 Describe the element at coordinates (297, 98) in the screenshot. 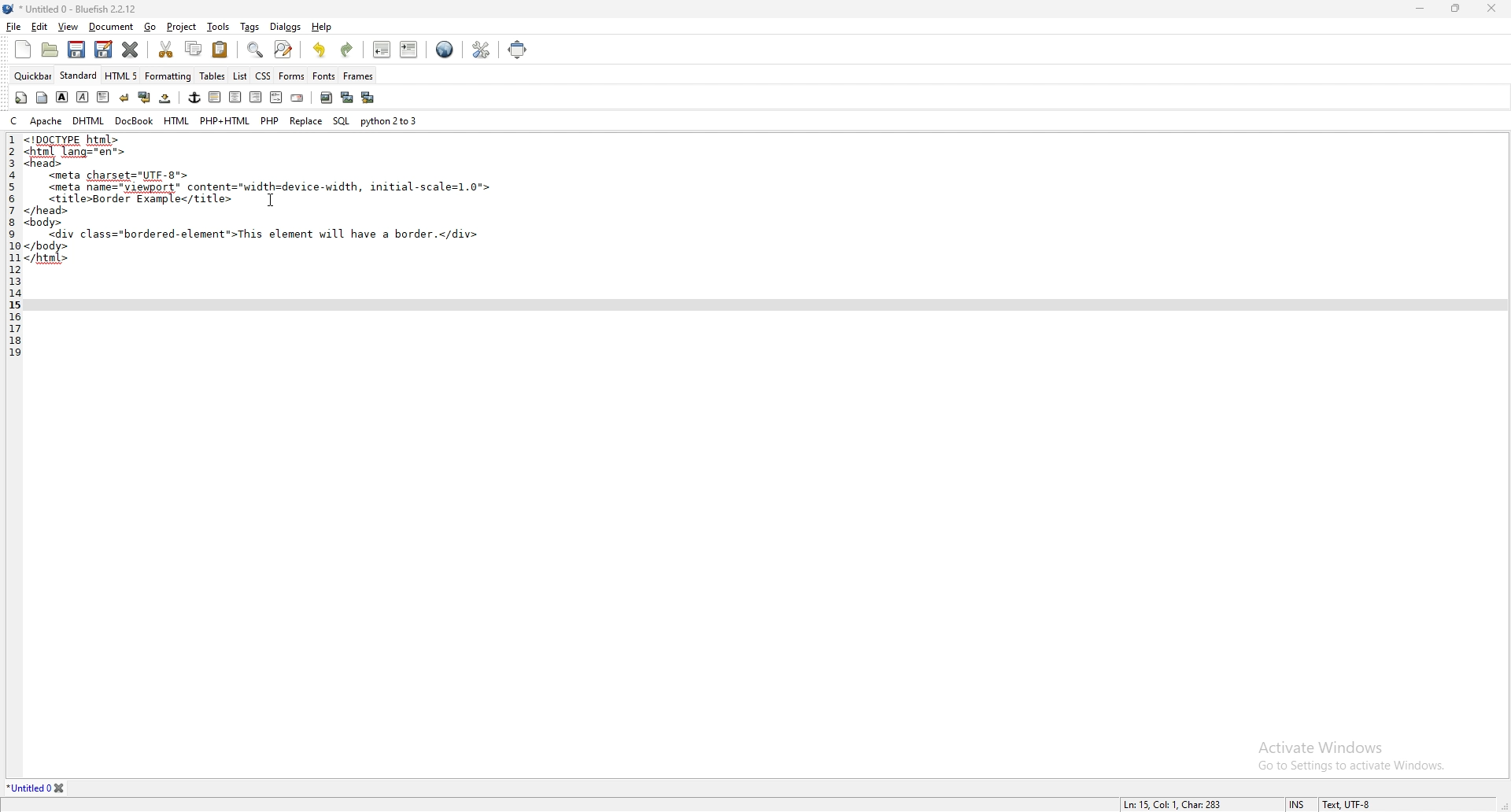

I see `email` at that location.